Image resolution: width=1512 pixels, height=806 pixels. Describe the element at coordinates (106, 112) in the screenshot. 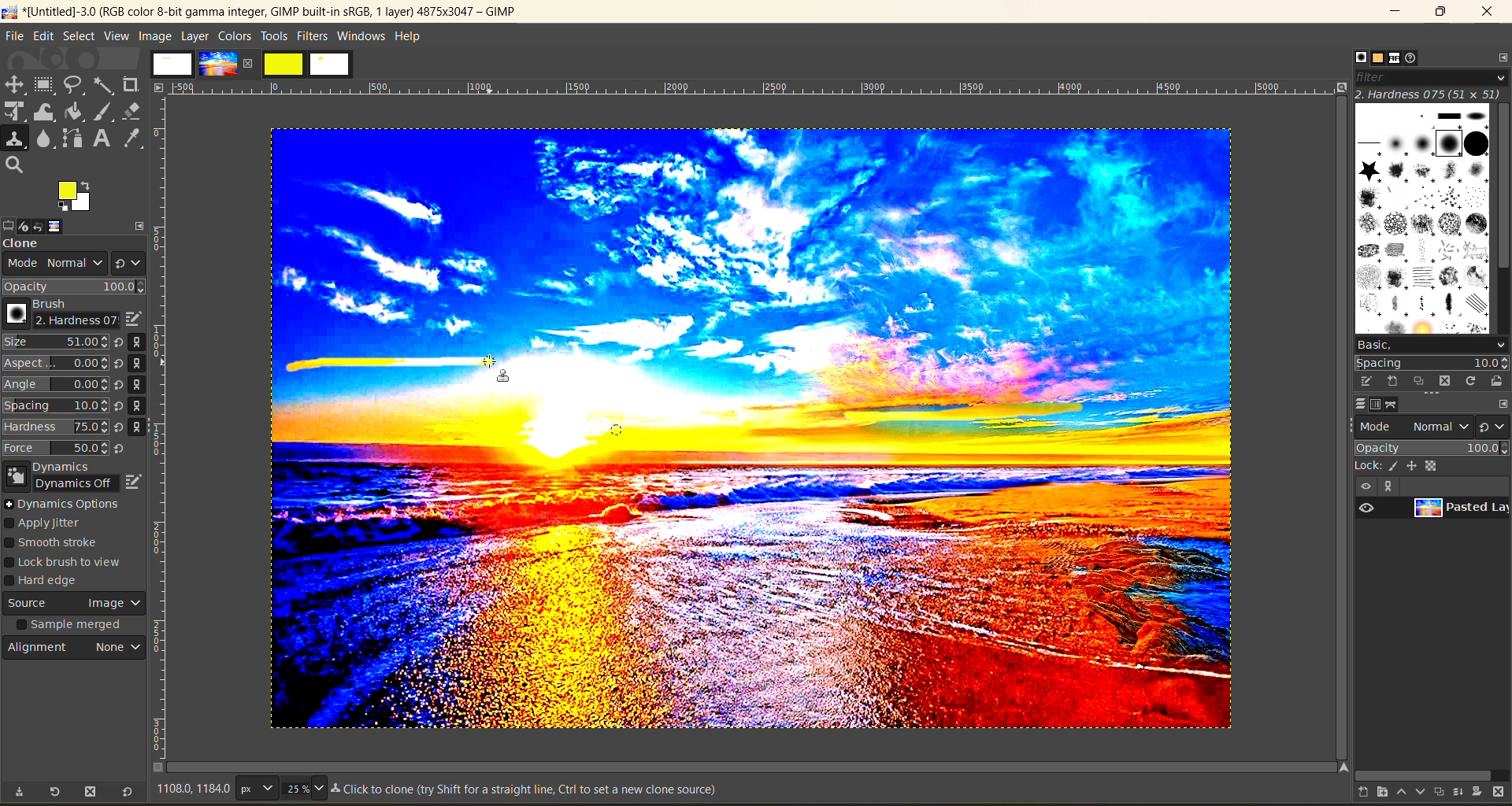

I see `ink tool` at that location.